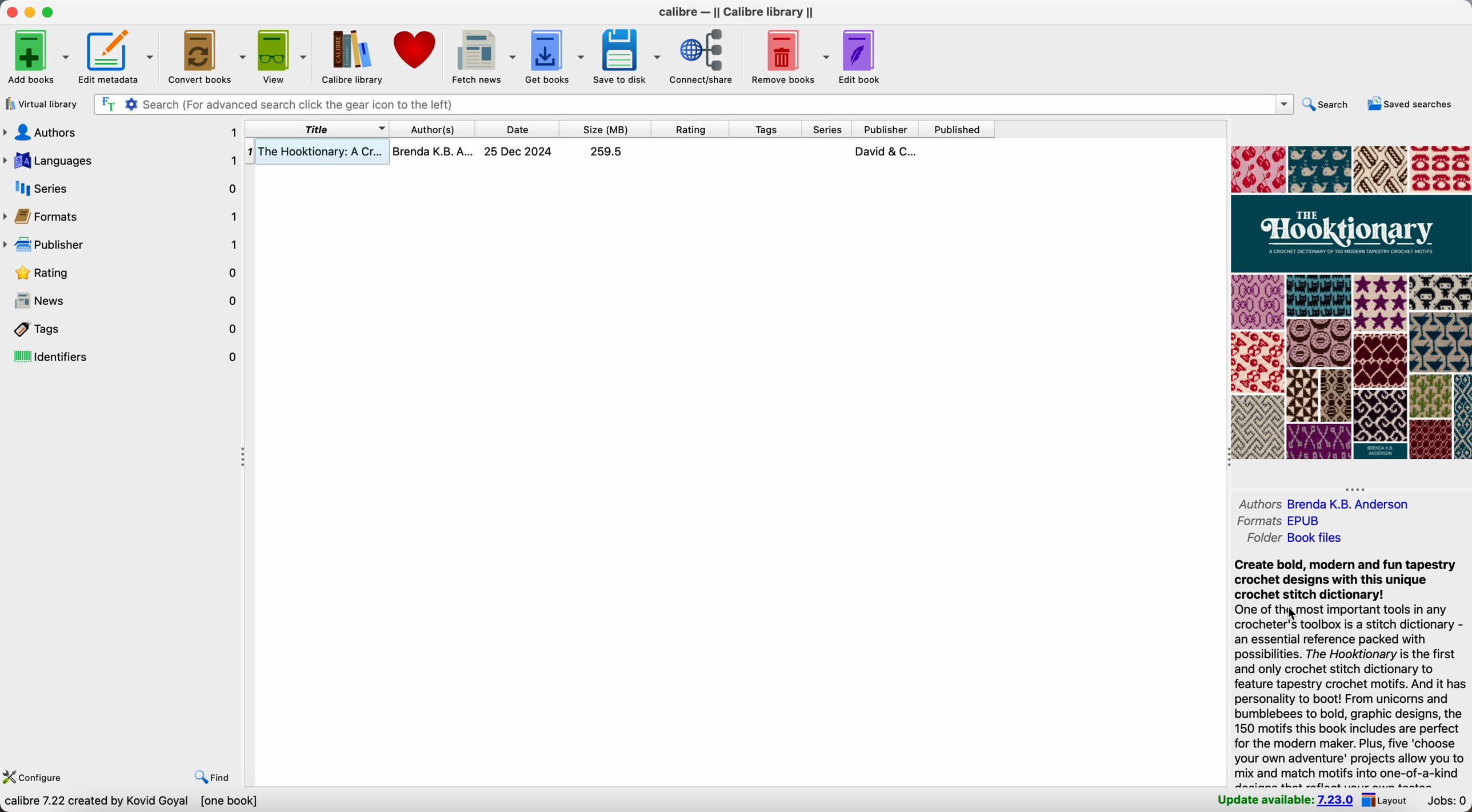 The width and height of the screenshot is (1472, 812). Describe the element at coordinates (736, 14) in the screenshot. I see `Calibre` at that location.